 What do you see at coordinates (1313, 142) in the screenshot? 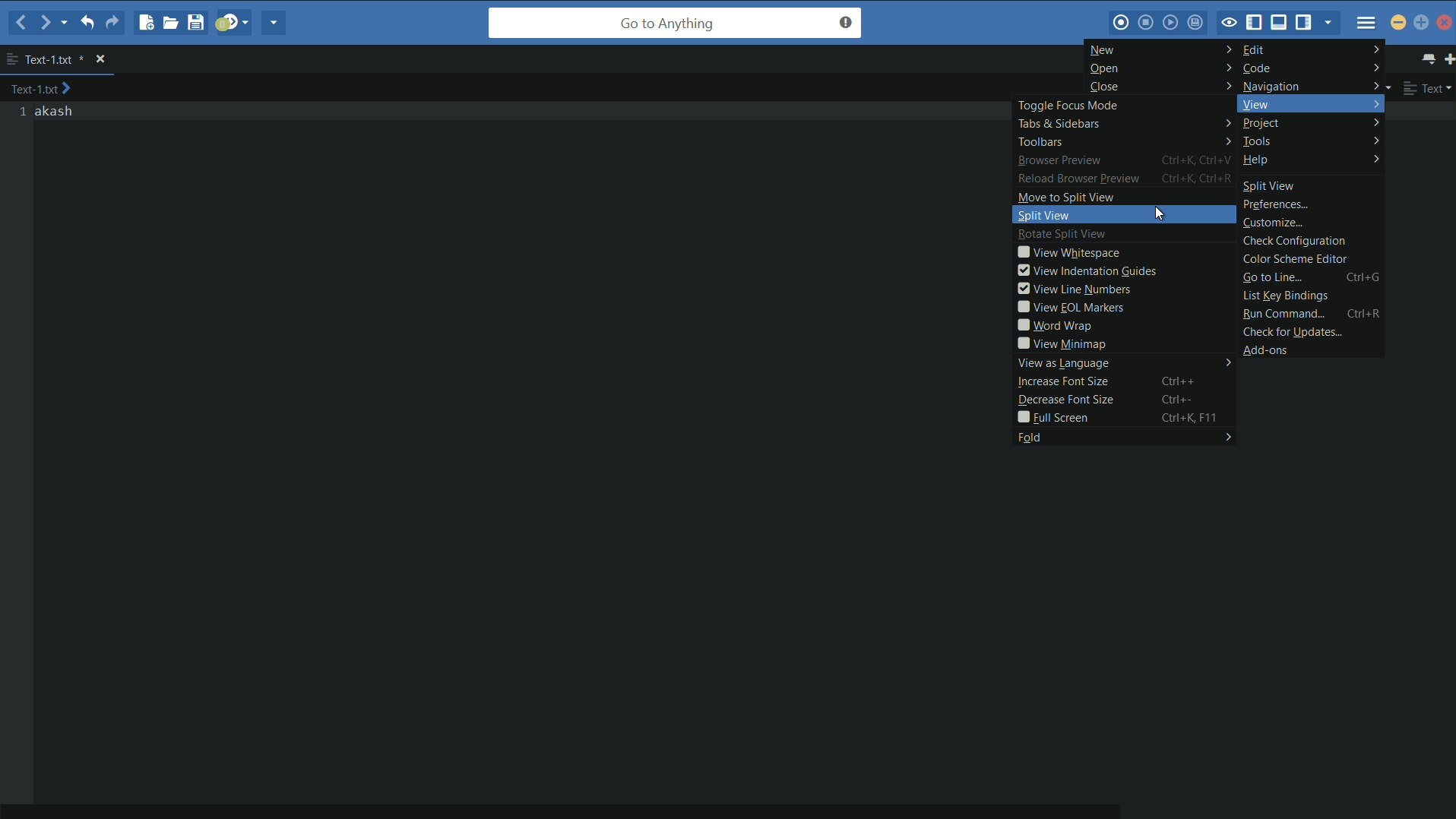
I see `tools` at bounding box center [1313, 142].